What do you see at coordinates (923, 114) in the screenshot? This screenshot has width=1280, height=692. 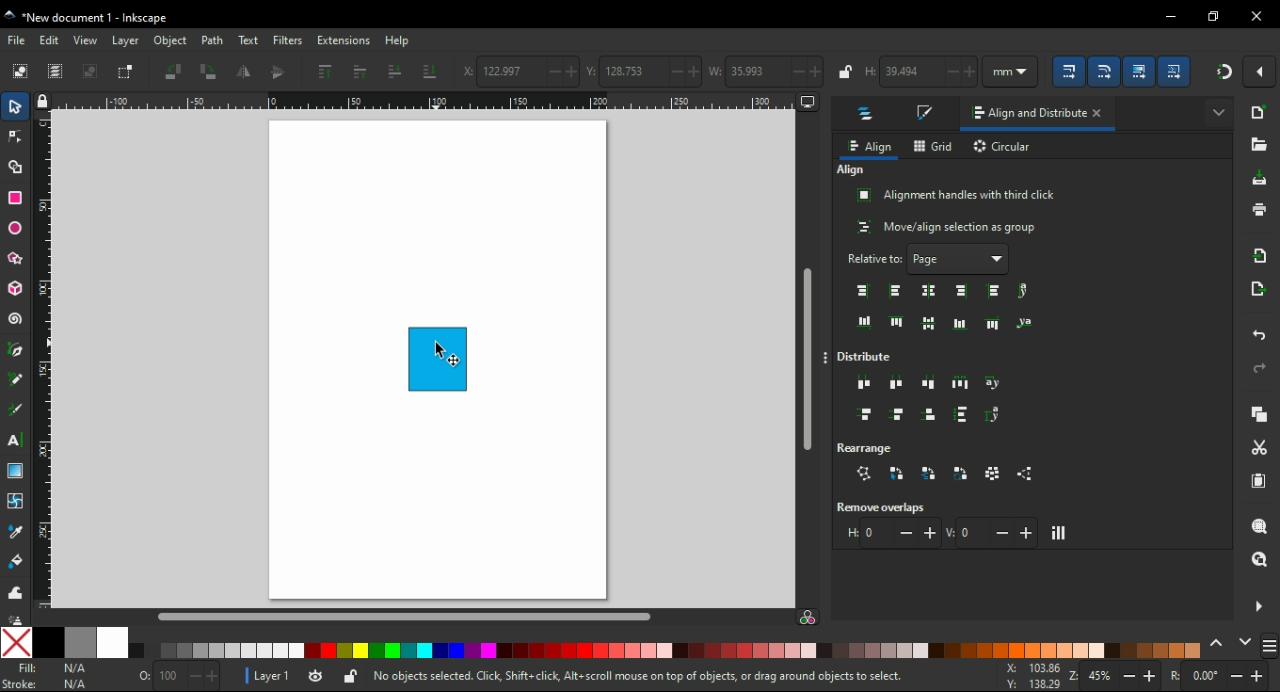 I see `fill and stroke` at bounding box center [923, 114].